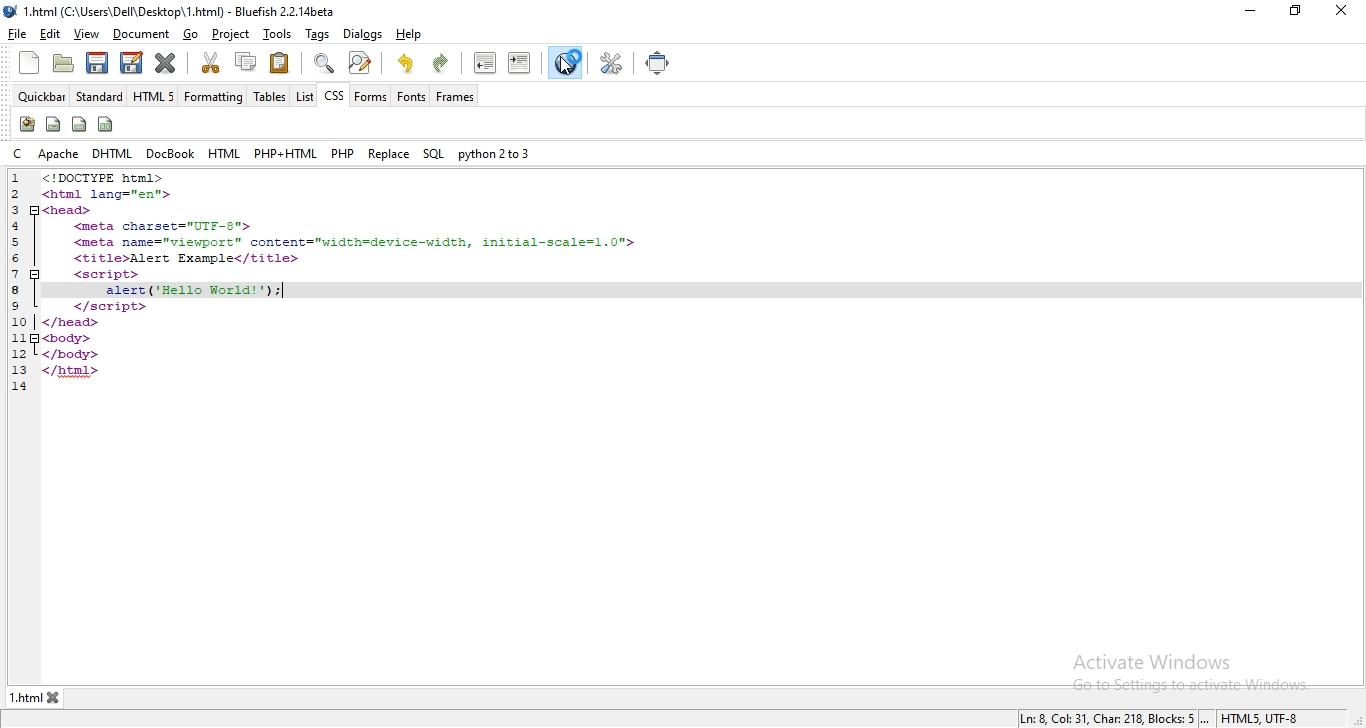  Describe the element at coordinates (57, 152) in the screenshot. I see `apache` at that location.